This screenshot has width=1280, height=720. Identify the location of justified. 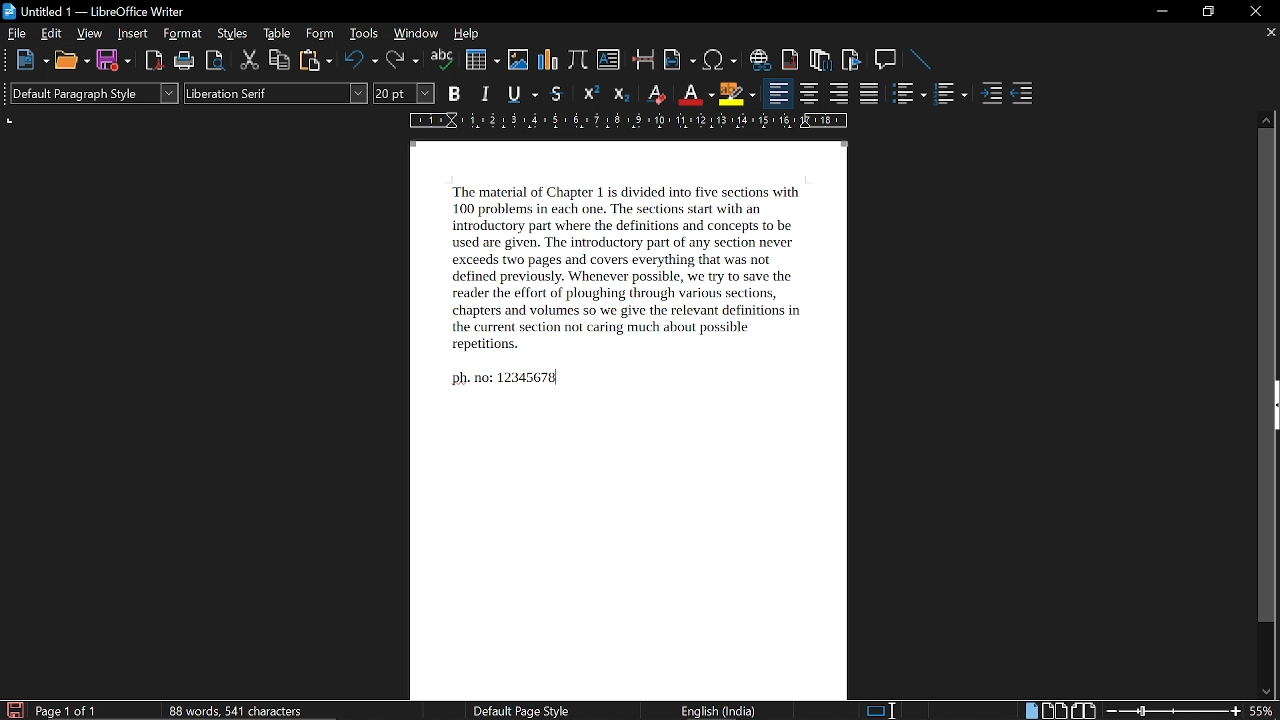
(872, 95).